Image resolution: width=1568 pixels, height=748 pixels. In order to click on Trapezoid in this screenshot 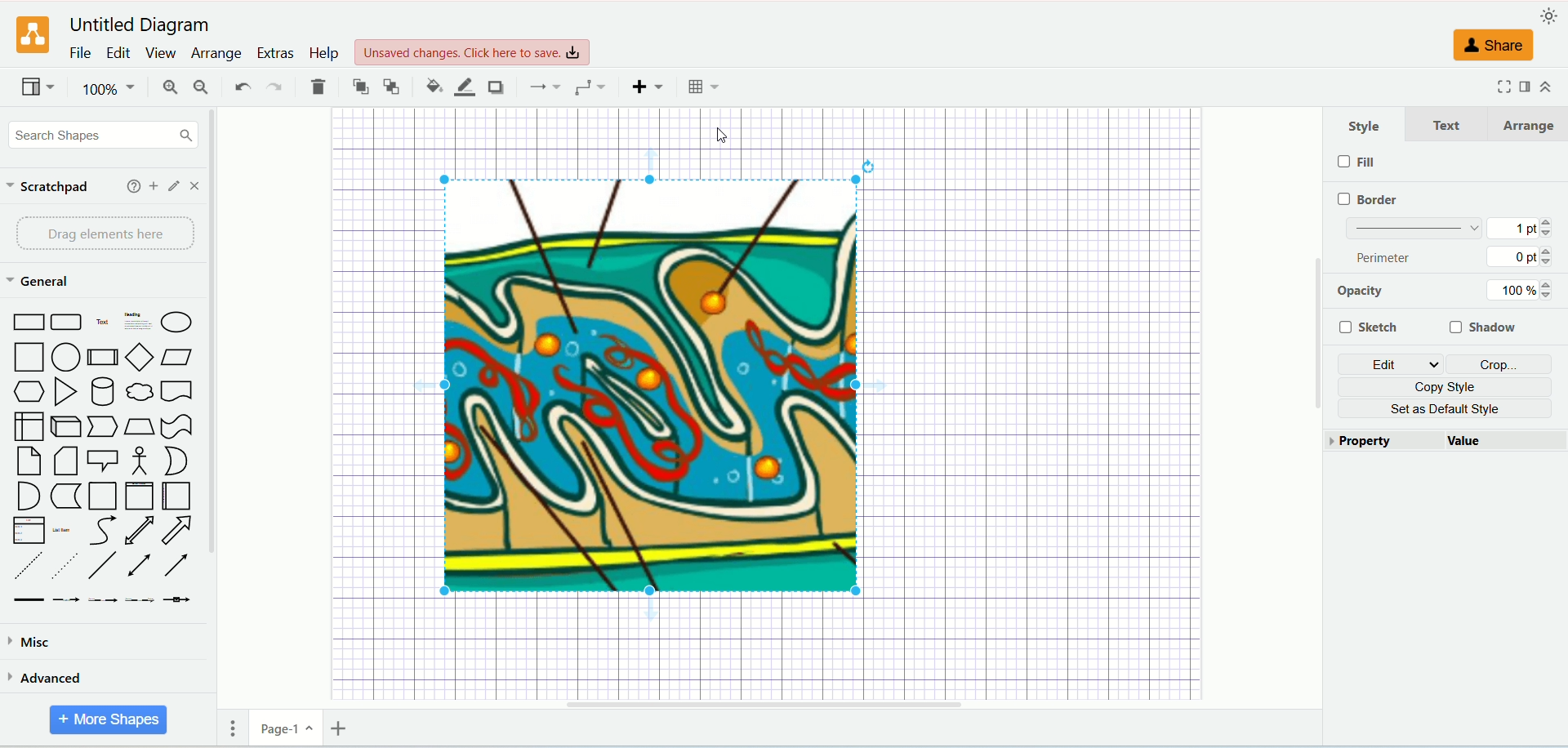, I will do `click(139, 428)`.